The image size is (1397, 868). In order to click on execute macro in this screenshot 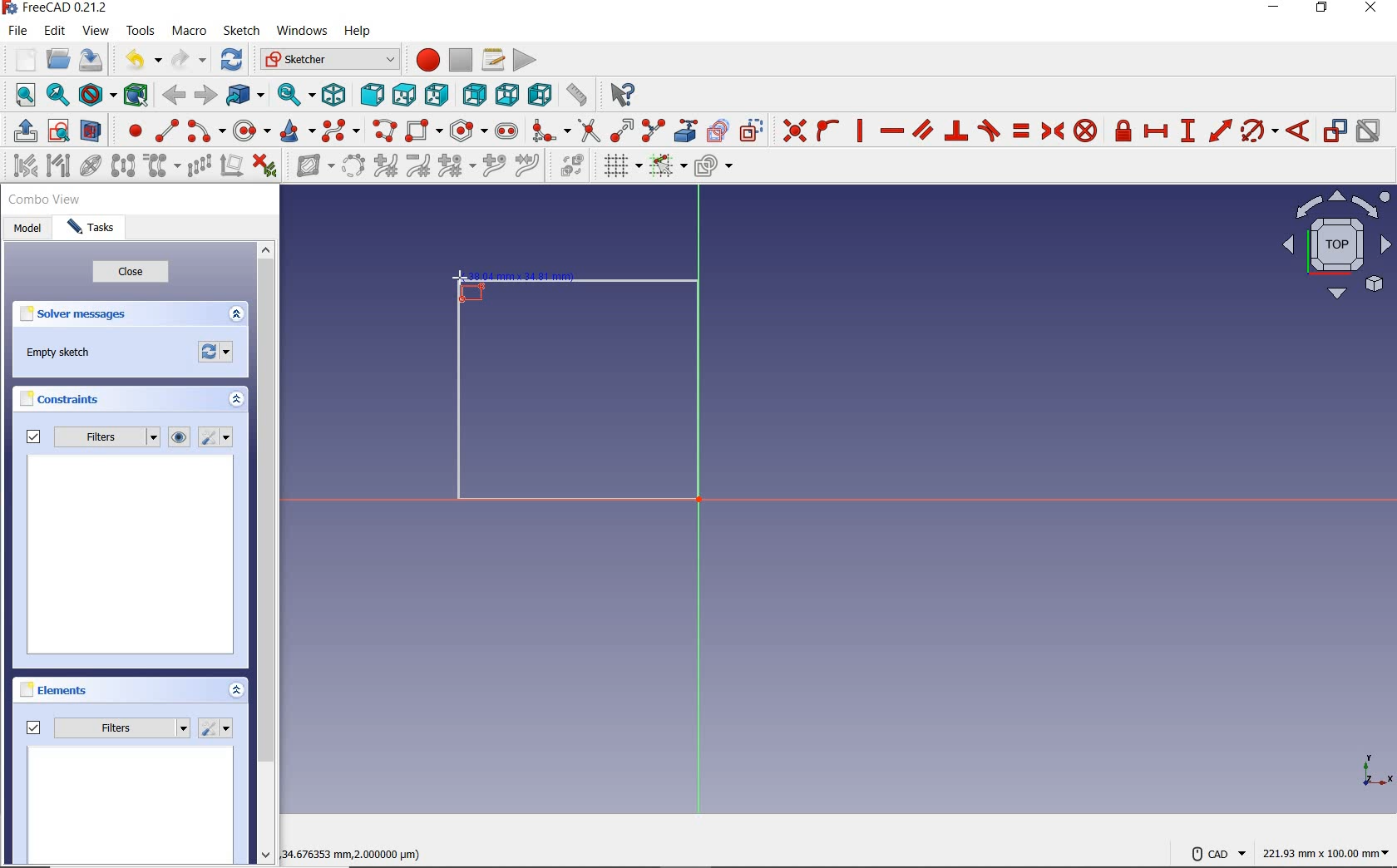, I will do `click(525, 60)`.